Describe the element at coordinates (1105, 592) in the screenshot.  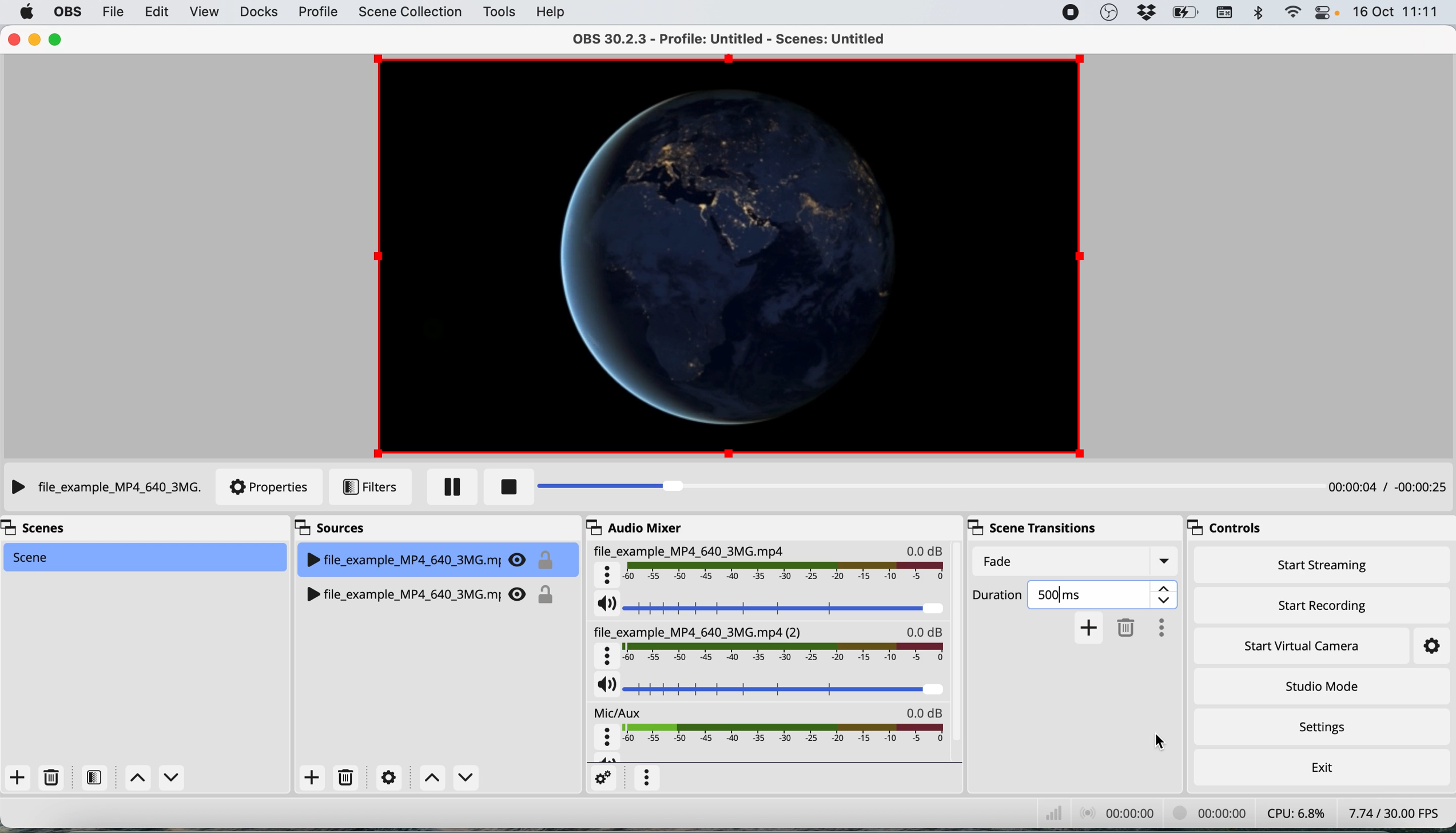
I see `new transition duration` at that location.